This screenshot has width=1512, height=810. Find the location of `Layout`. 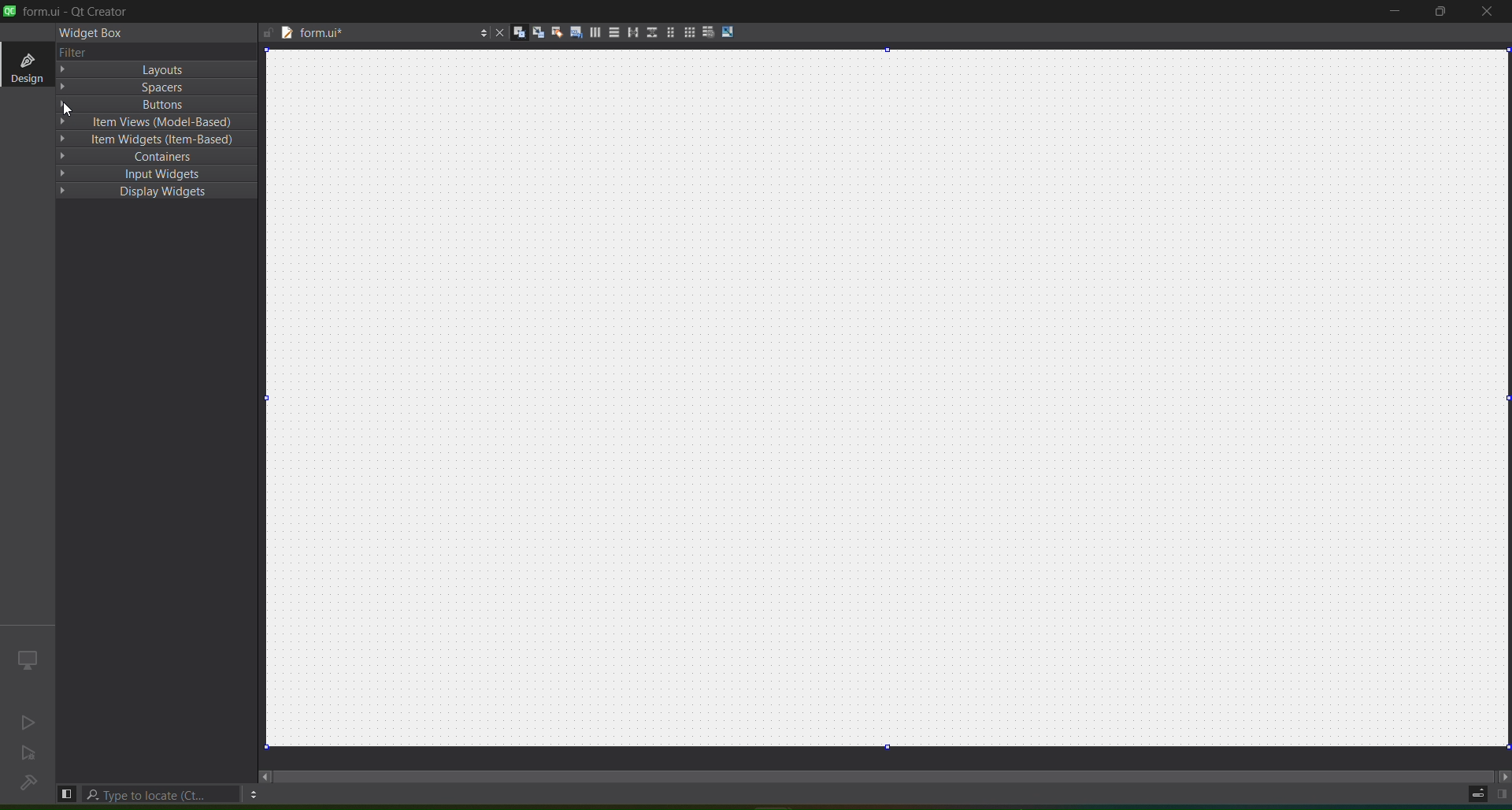

Layout is located at coordinates (158, 69).